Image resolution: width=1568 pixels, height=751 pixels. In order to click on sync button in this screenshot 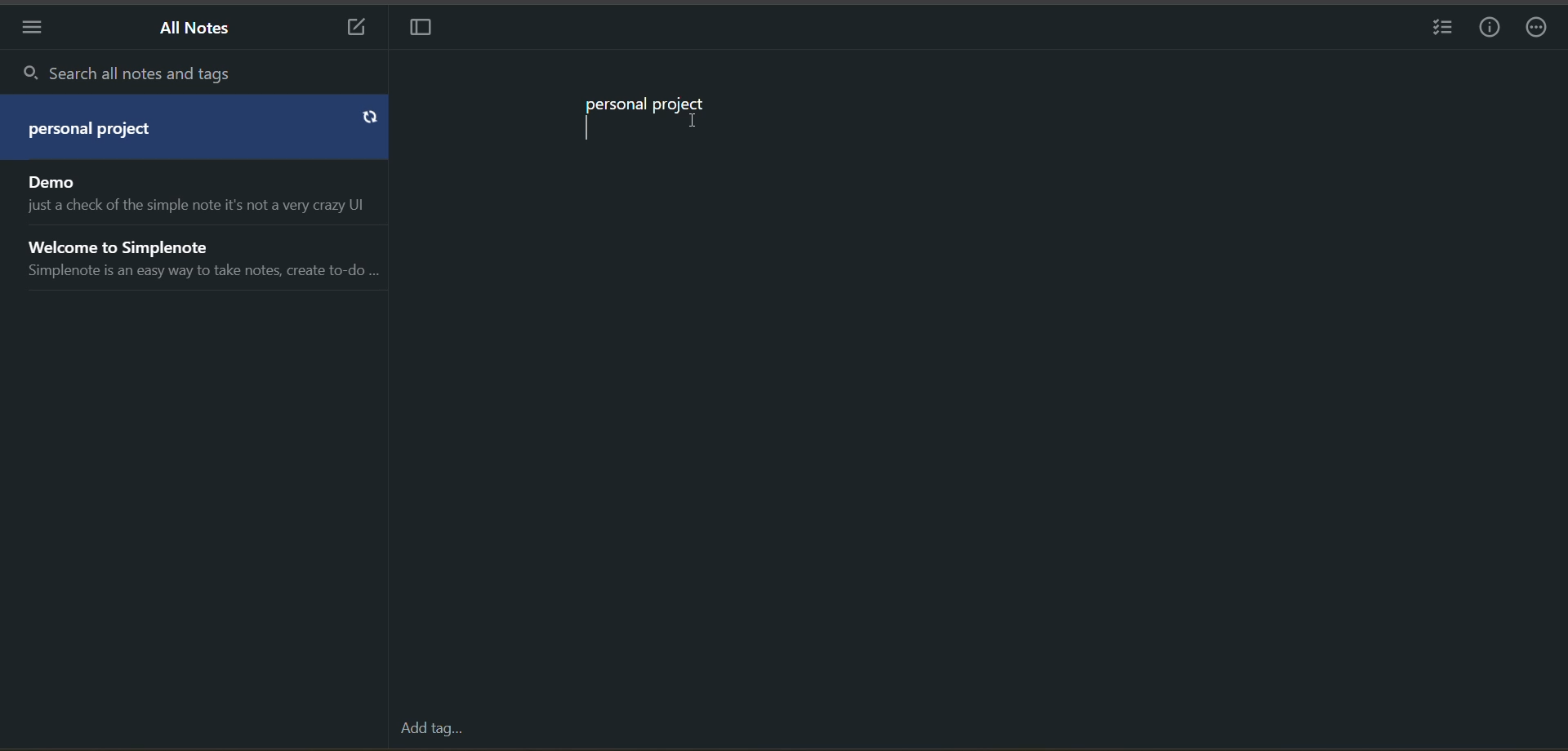, I will do `click(369, 118)`.